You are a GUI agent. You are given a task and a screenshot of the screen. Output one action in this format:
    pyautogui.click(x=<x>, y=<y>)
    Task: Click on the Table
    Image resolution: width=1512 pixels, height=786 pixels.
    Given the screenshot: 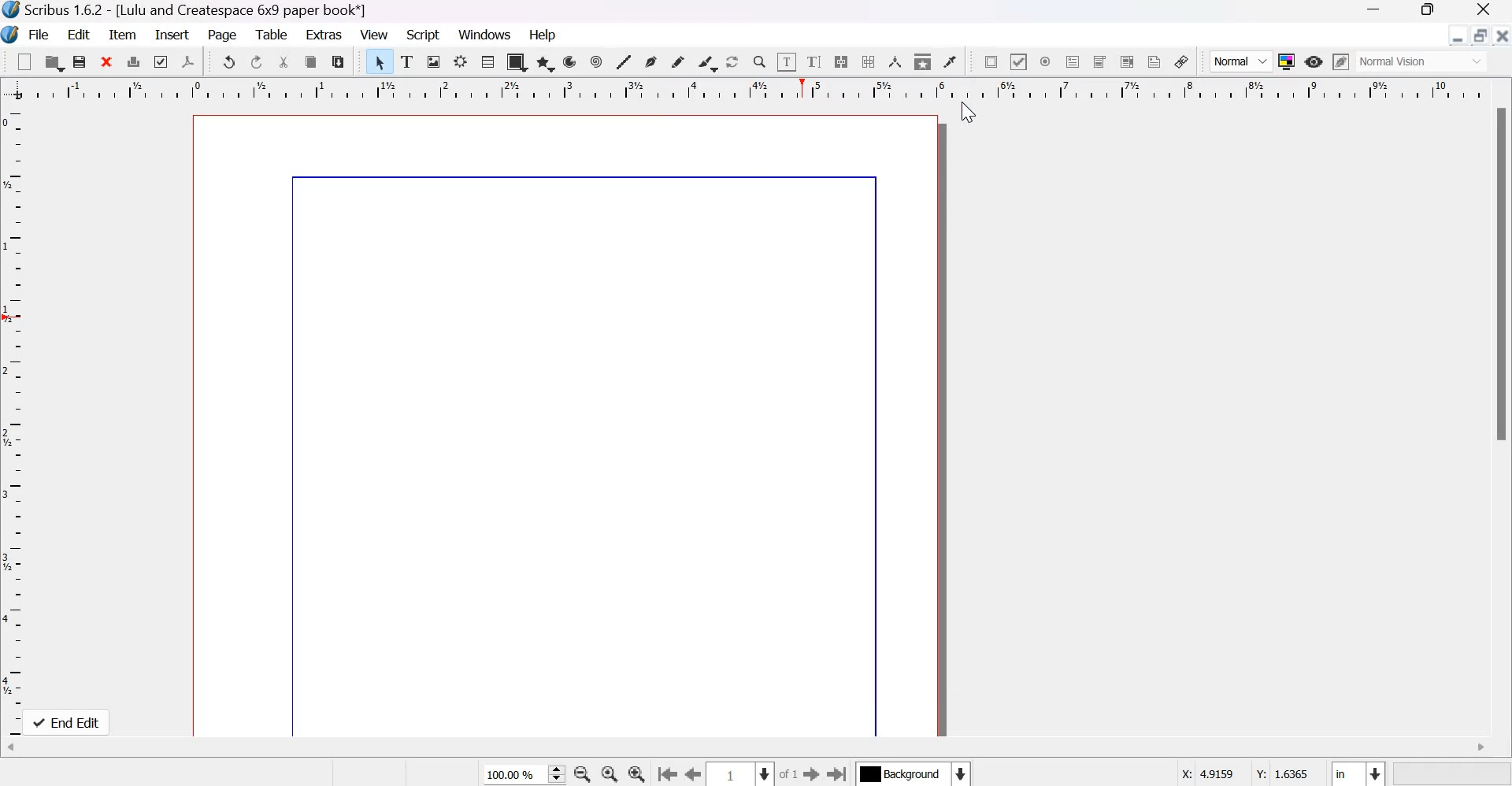 What is the action you would take?
    pyautogui.click(x=487, y=62)
    